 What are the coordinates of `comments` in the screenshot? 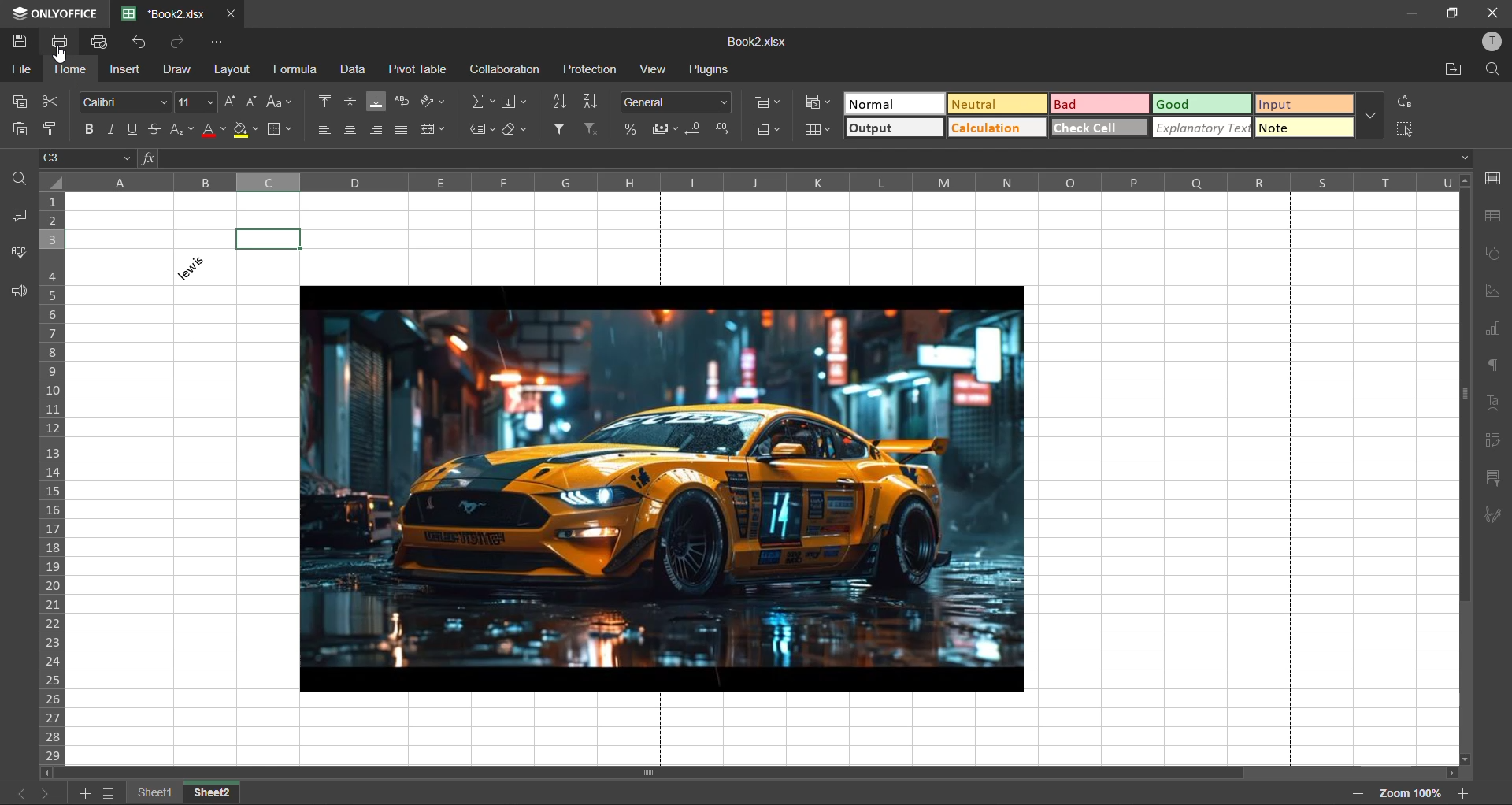 It's located at (24, 217).